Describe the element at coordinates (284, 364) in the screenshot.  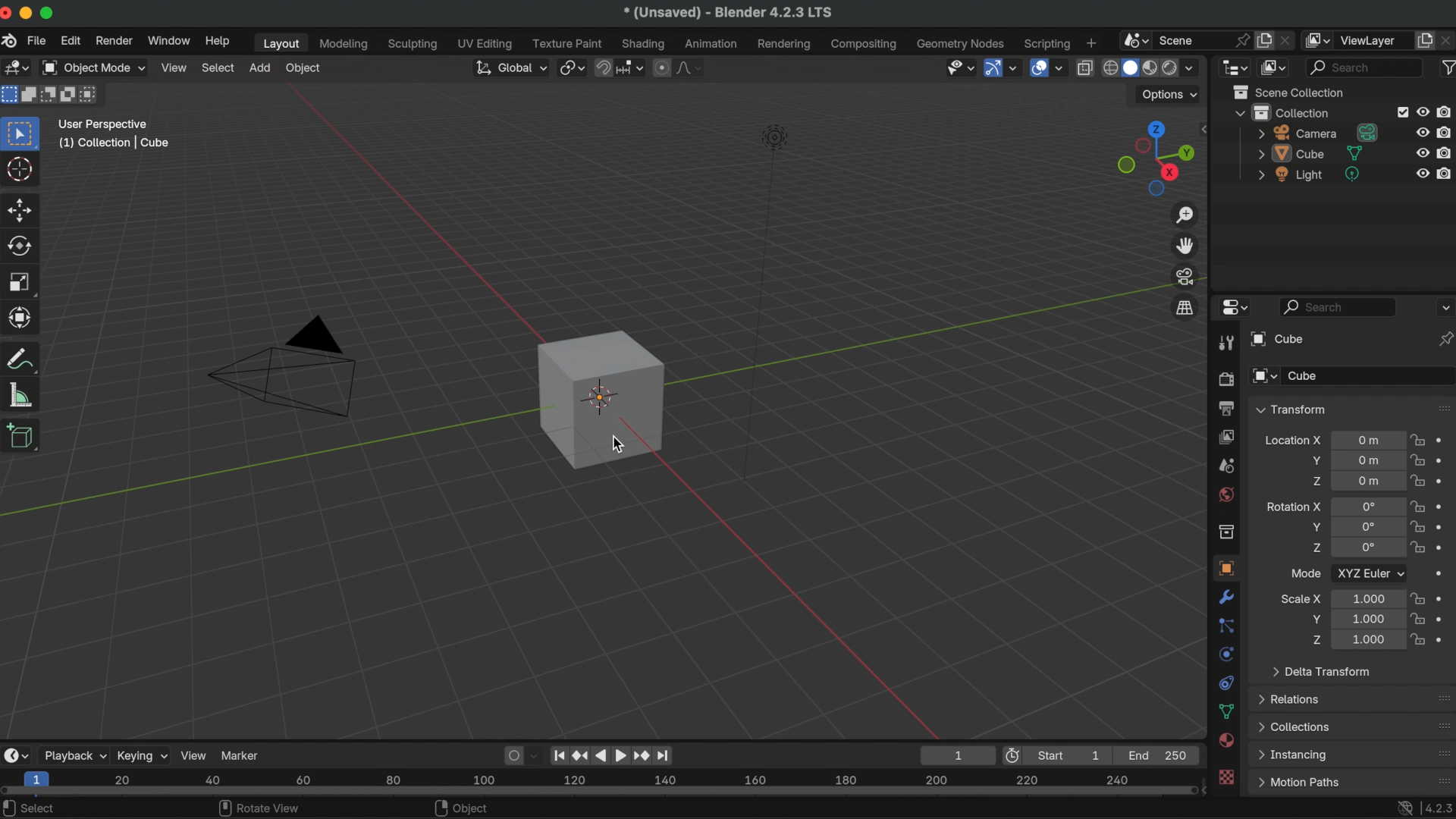
I see `D triangle` at that location.